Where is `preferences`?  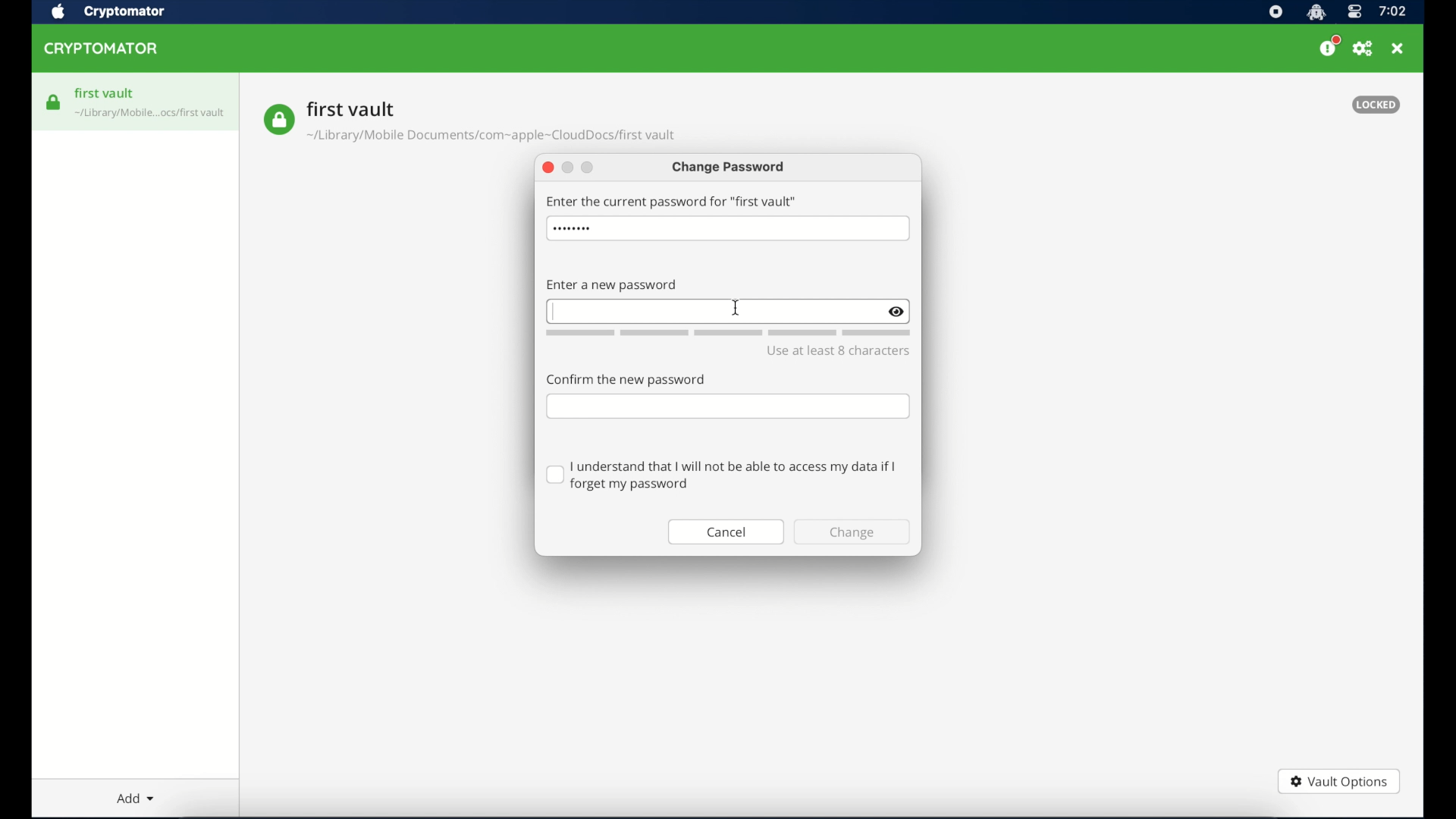 preferences is located at coordinates (1363, 49).